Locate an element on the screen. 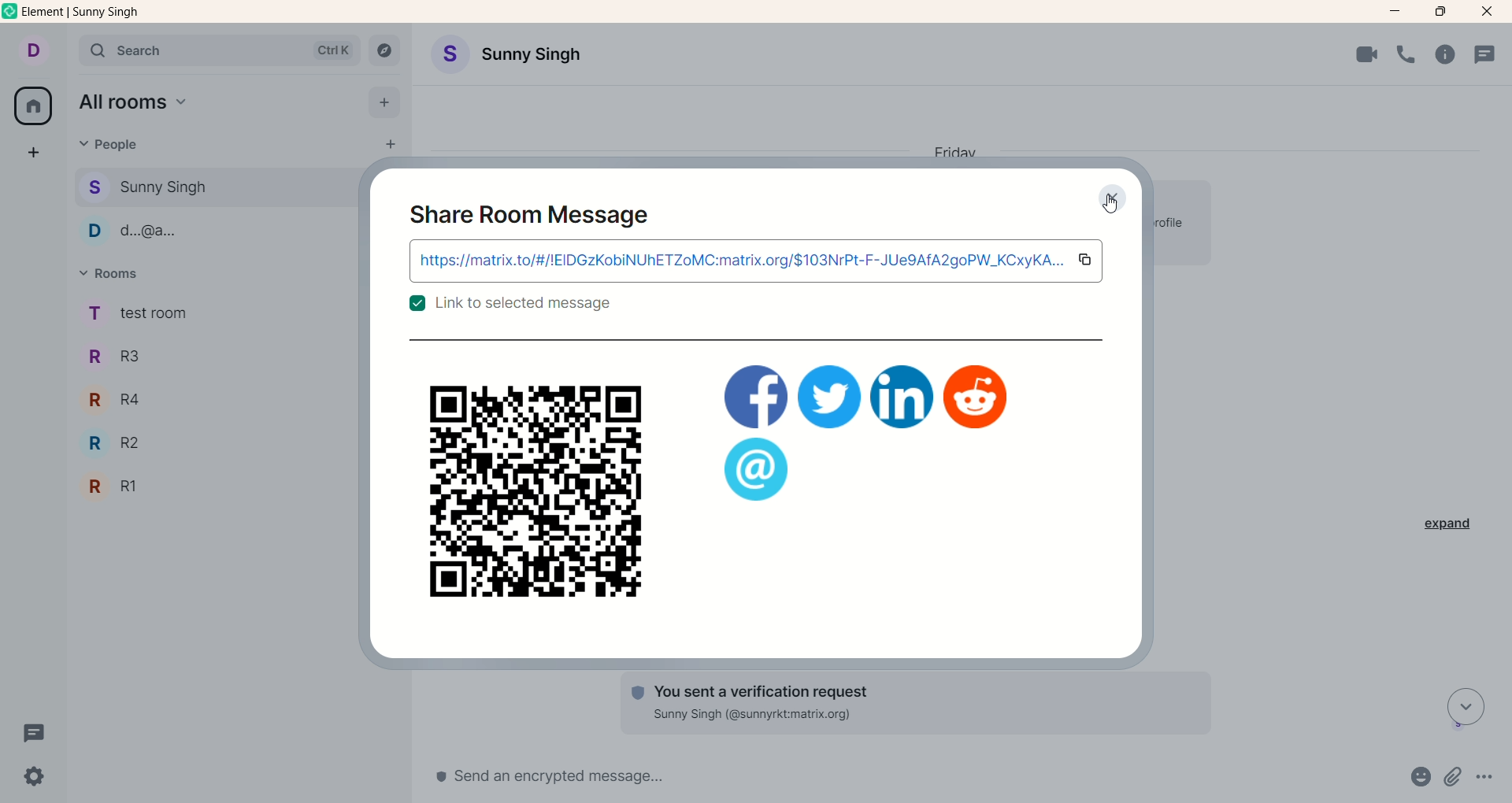 Image resolution: width=1512 pixels, height=803 pixels. application logo is located at coordinates (902, 396).